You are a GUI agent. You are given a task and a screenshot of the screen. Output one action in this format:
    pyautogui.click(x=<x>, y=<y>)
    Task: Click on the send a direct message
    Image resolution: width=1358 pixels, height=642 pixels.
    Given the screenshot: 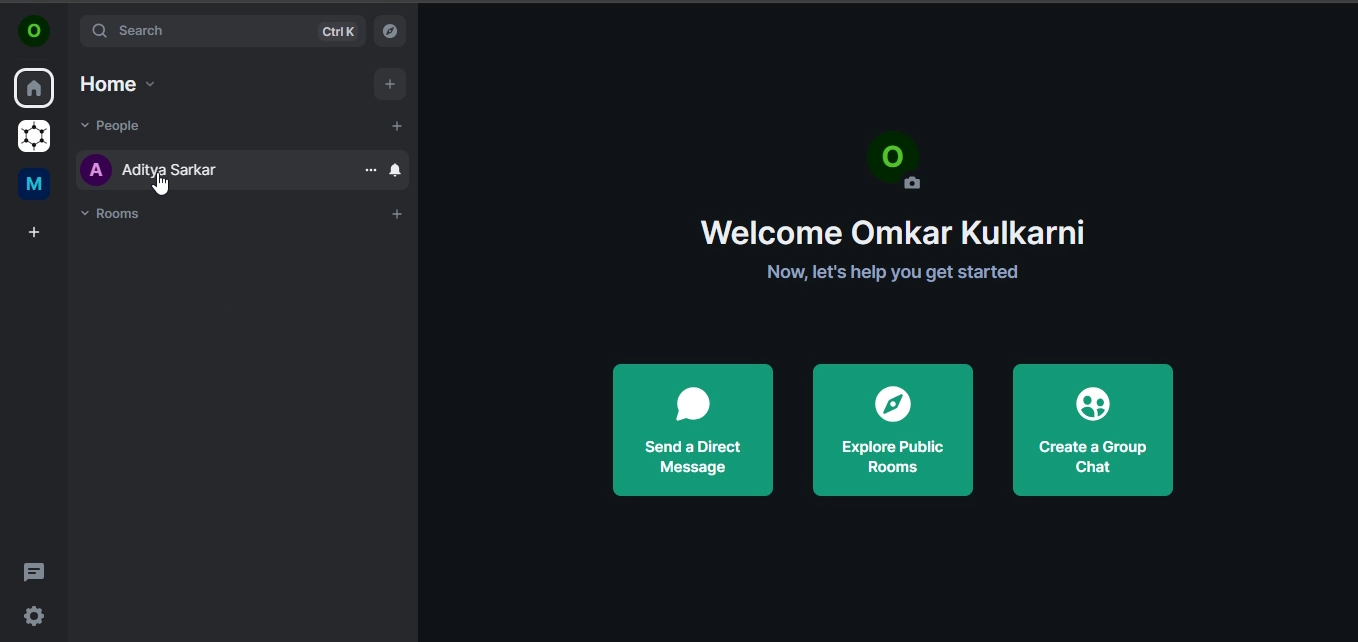 What is the action you would take?
    pyautogui.click(x=694, y=431)
    